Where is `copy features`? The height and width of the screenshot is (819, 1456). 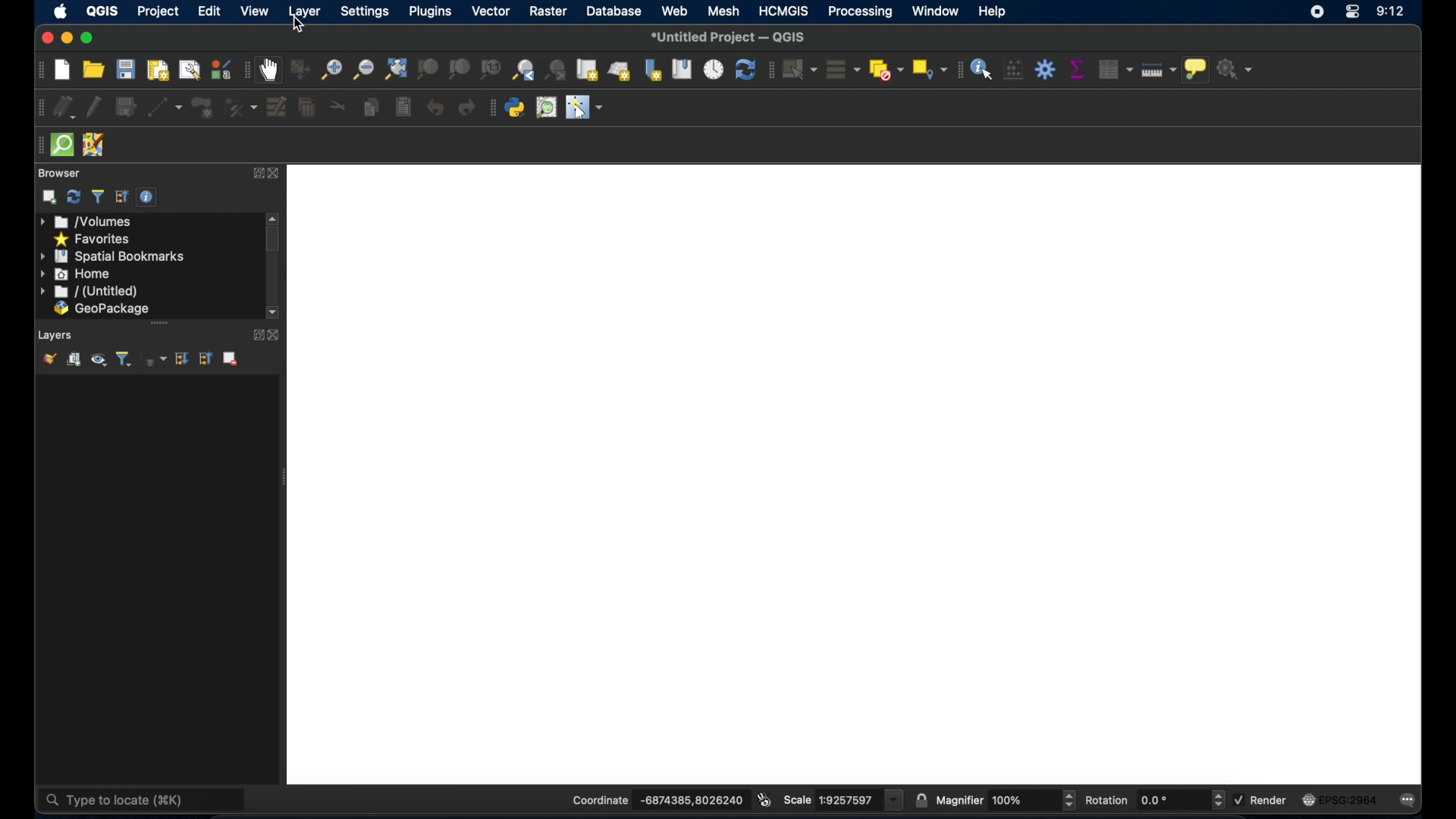
copy features is located at coordinates (372, 108).